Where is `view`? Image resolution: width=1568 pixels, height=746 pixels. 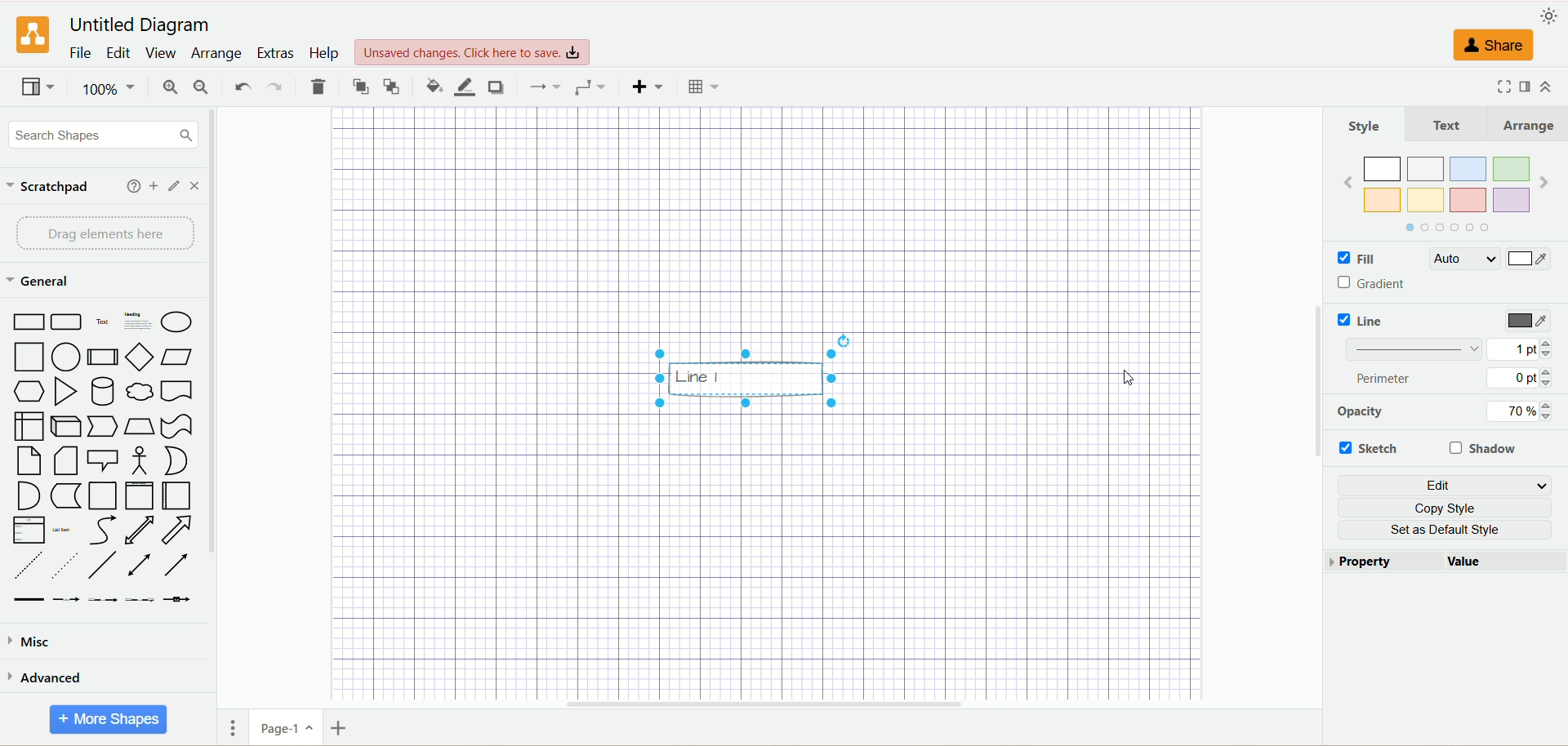 view is located at coordinates (37, 87).